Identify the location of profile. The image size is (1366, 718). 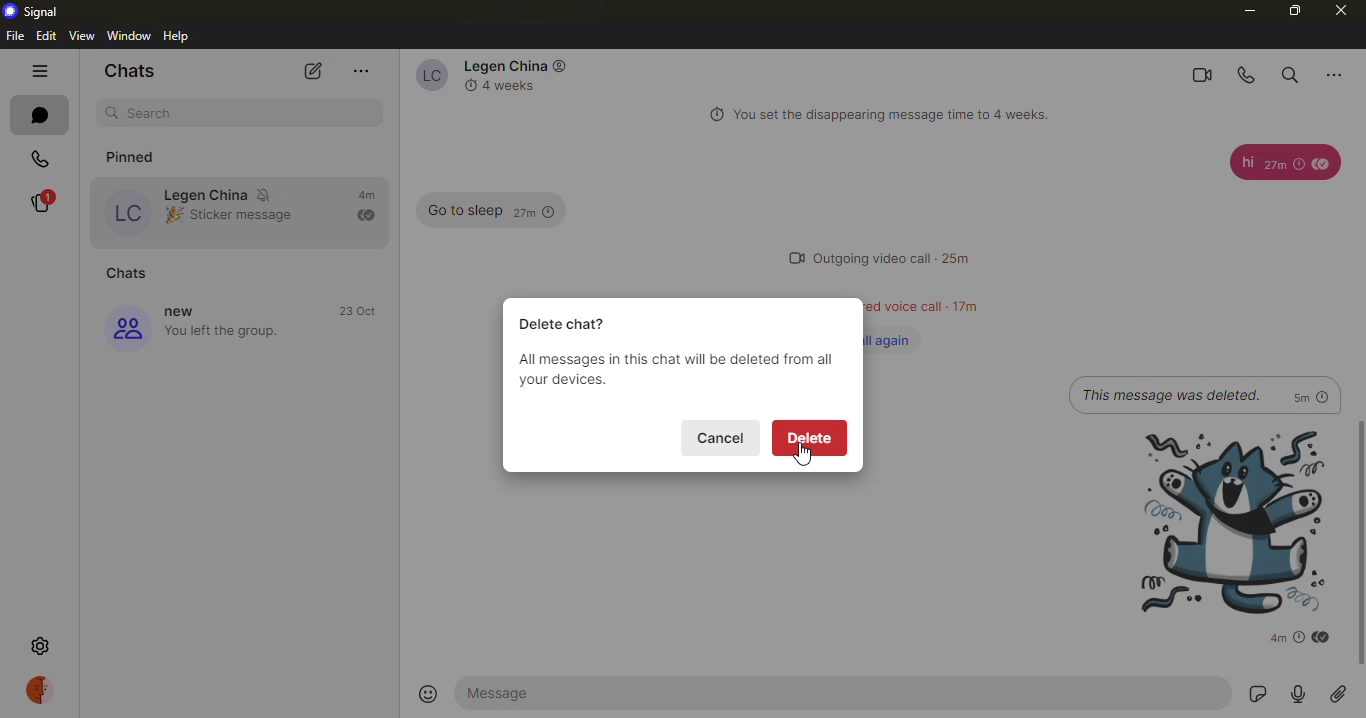
(43, 691).